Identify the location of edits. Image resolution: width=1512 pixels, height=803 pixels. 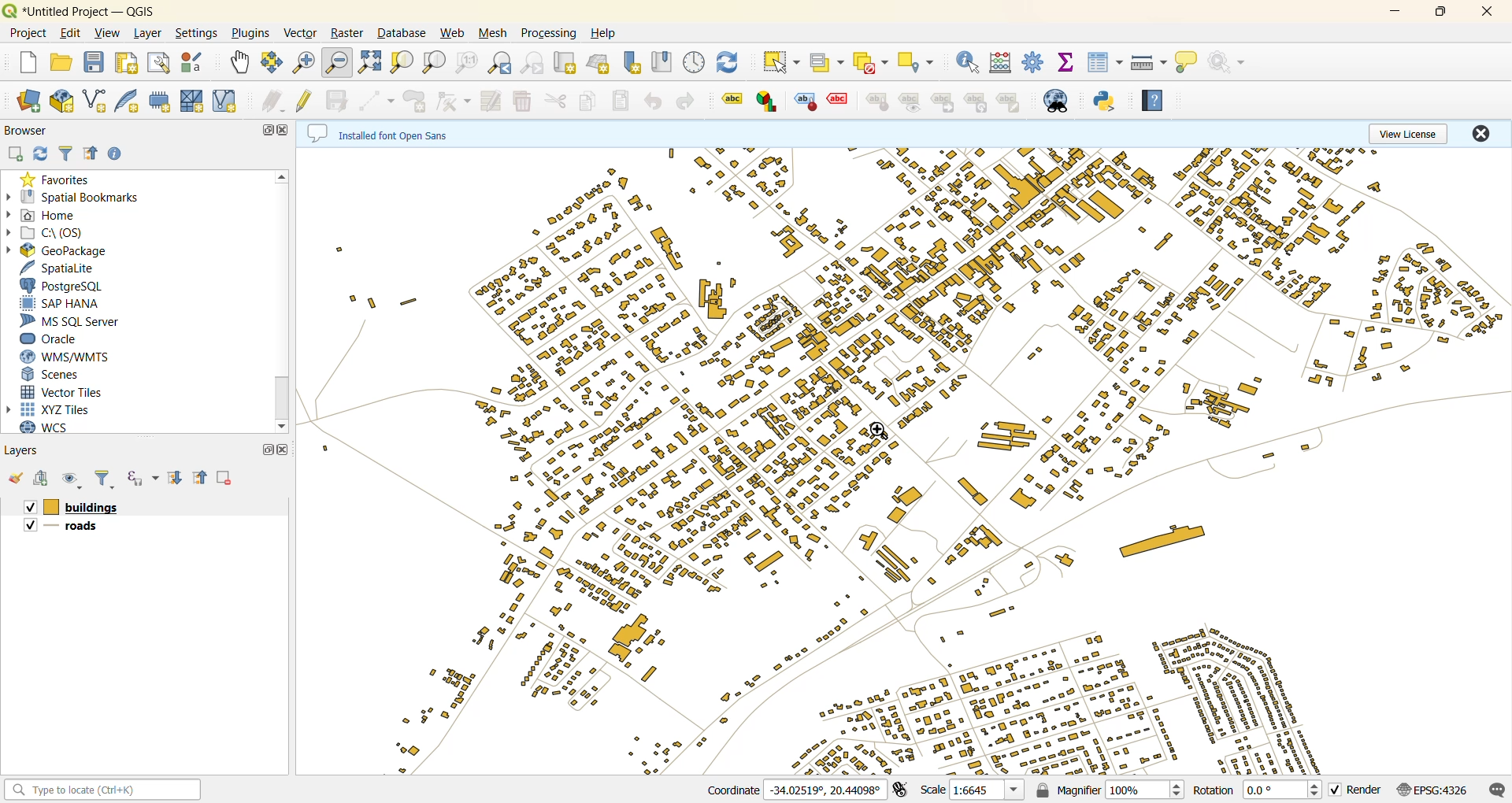
(272, 101).